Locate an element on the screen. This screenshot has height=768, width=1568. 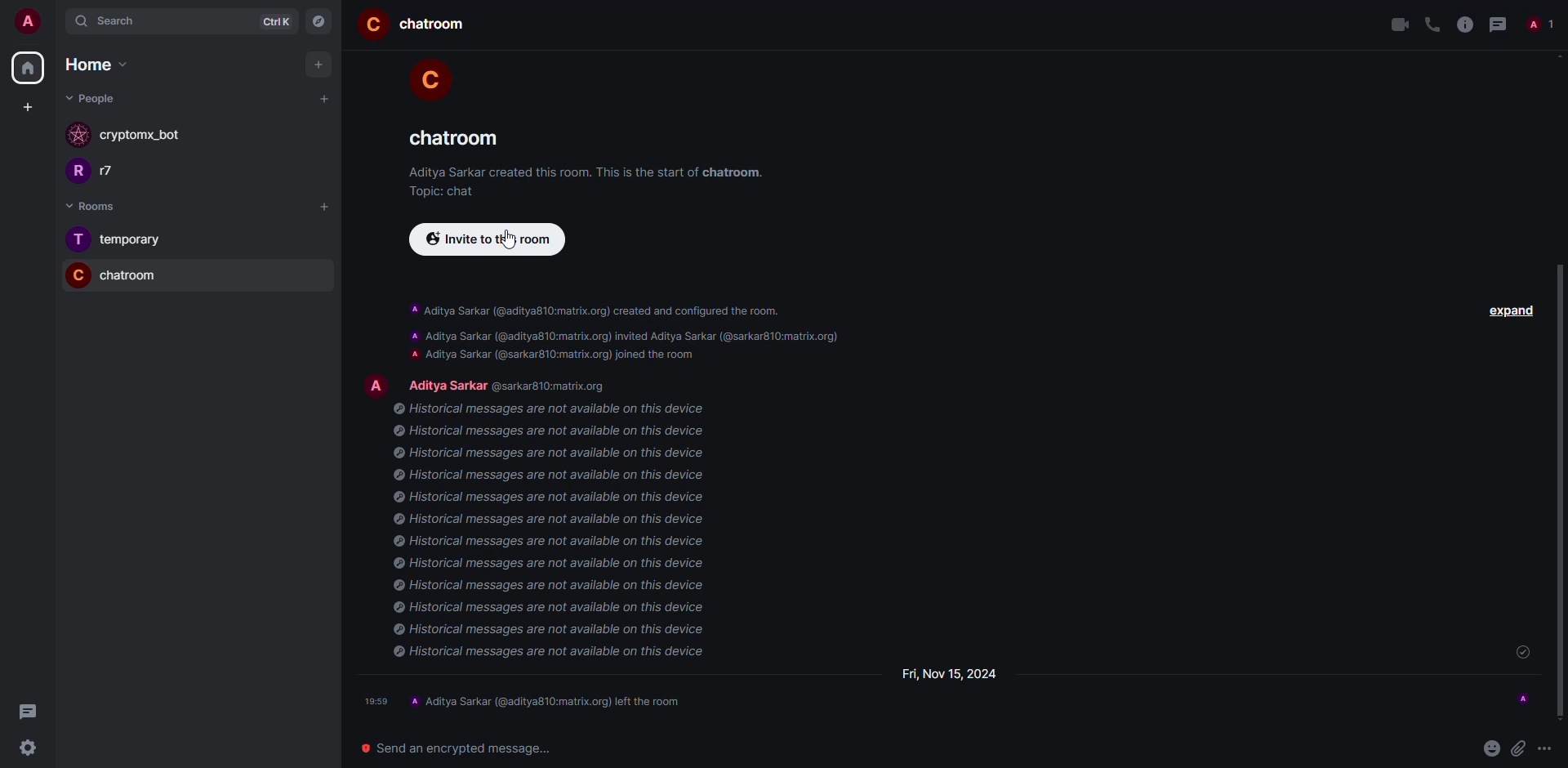
seen is located at coordinates (1523, 697).